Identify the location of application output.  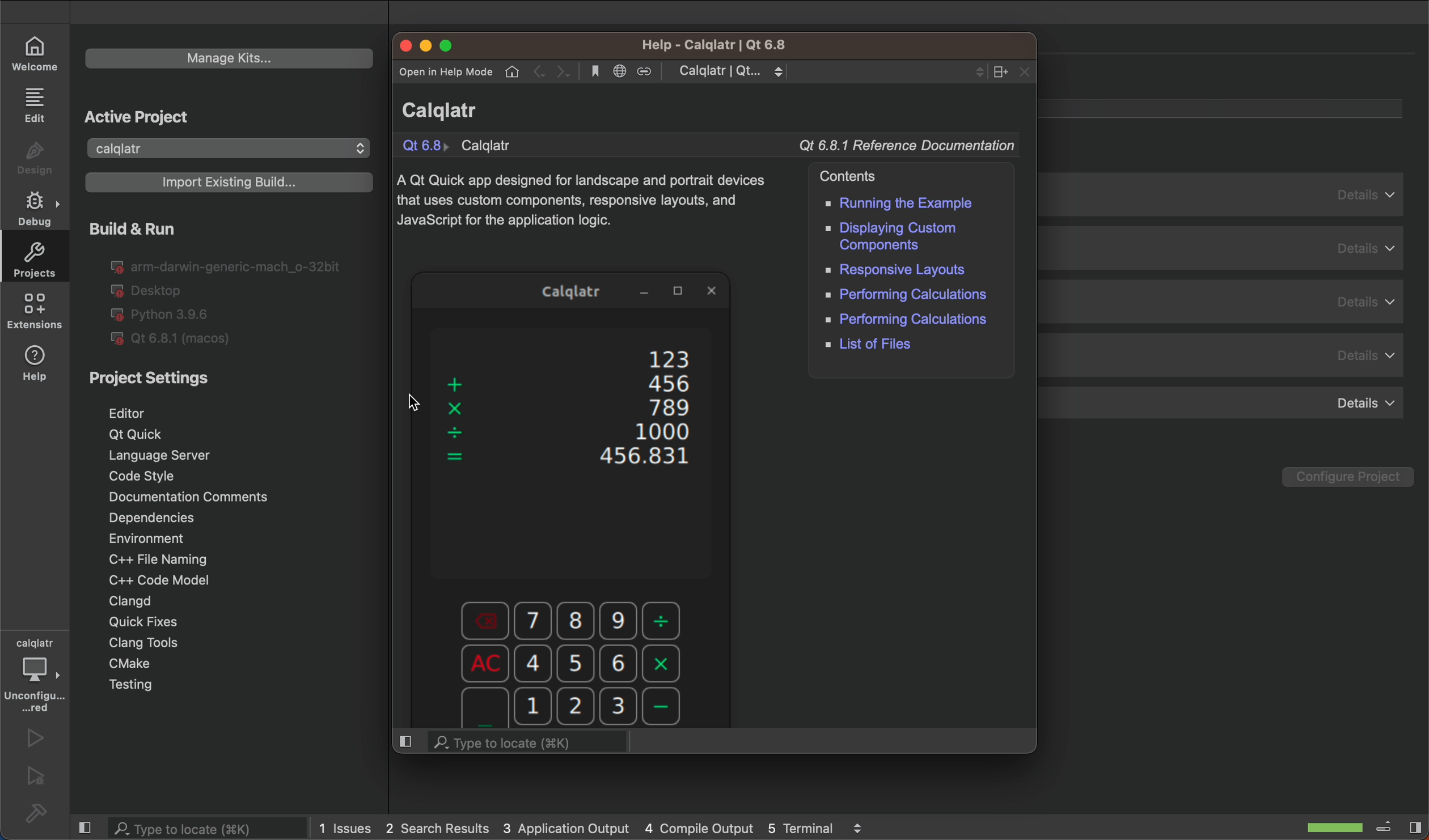
(568, 828).